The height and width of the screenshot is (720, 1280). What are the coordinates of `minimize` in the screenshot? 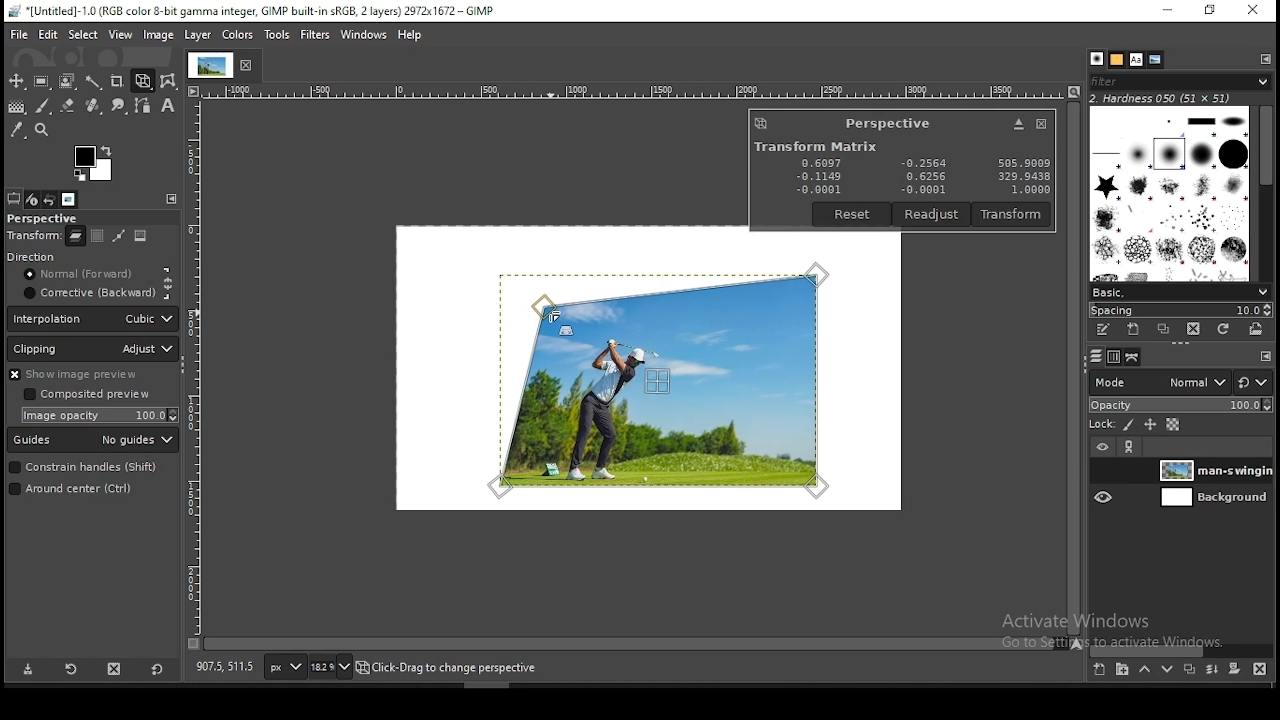 It's located at (1167, 10).